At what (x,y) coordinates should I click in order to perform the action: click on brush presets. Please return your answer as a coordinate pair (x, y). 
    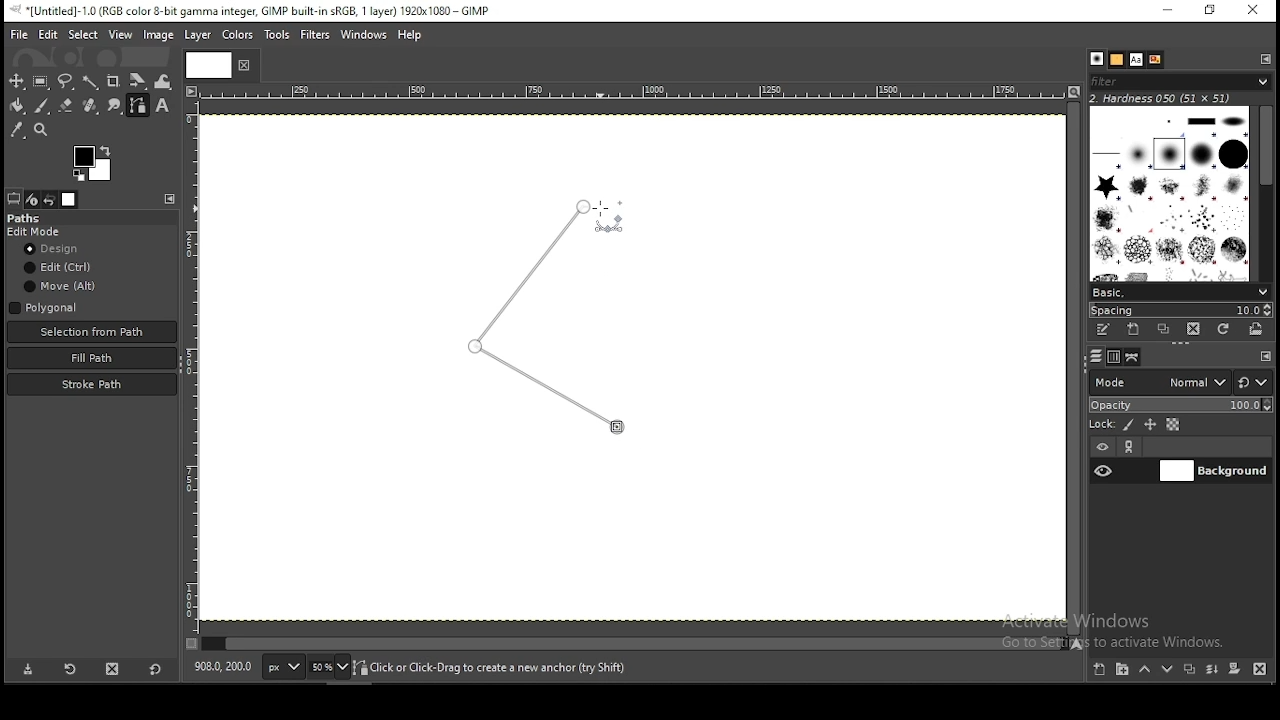
    Looking at the image, I should click on (1180, 291).